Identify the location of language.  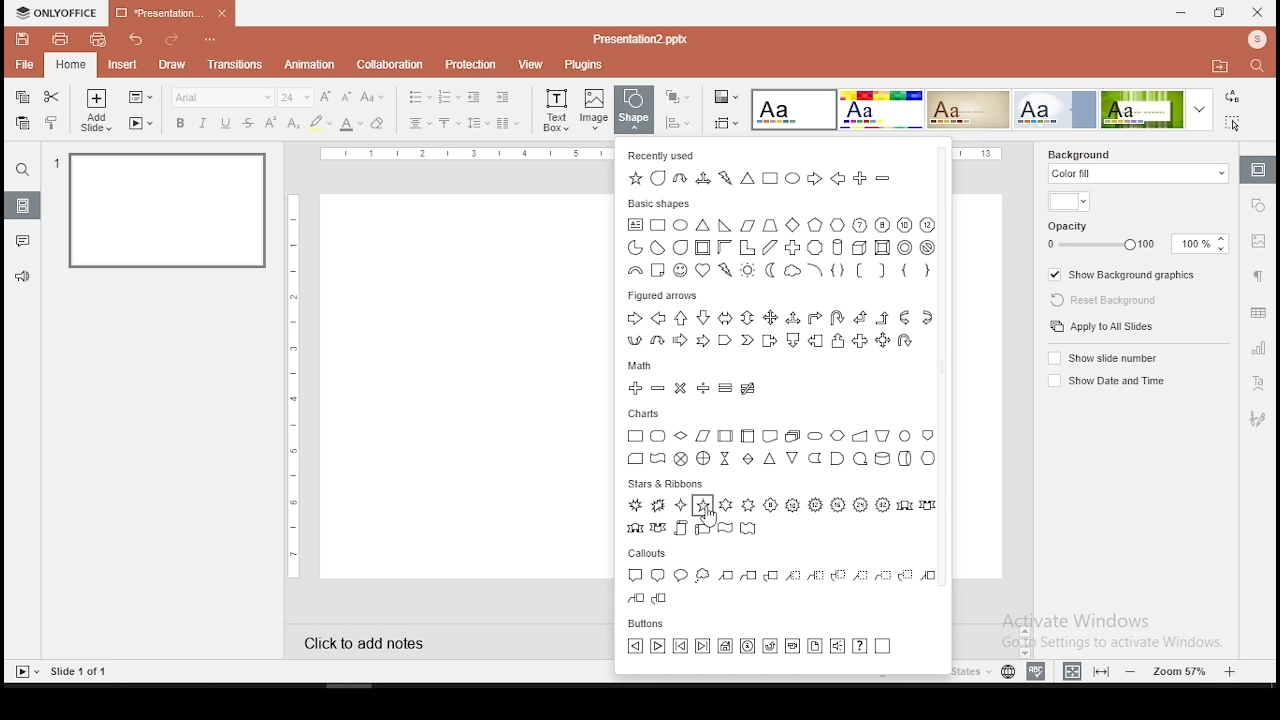
(1008, 674).